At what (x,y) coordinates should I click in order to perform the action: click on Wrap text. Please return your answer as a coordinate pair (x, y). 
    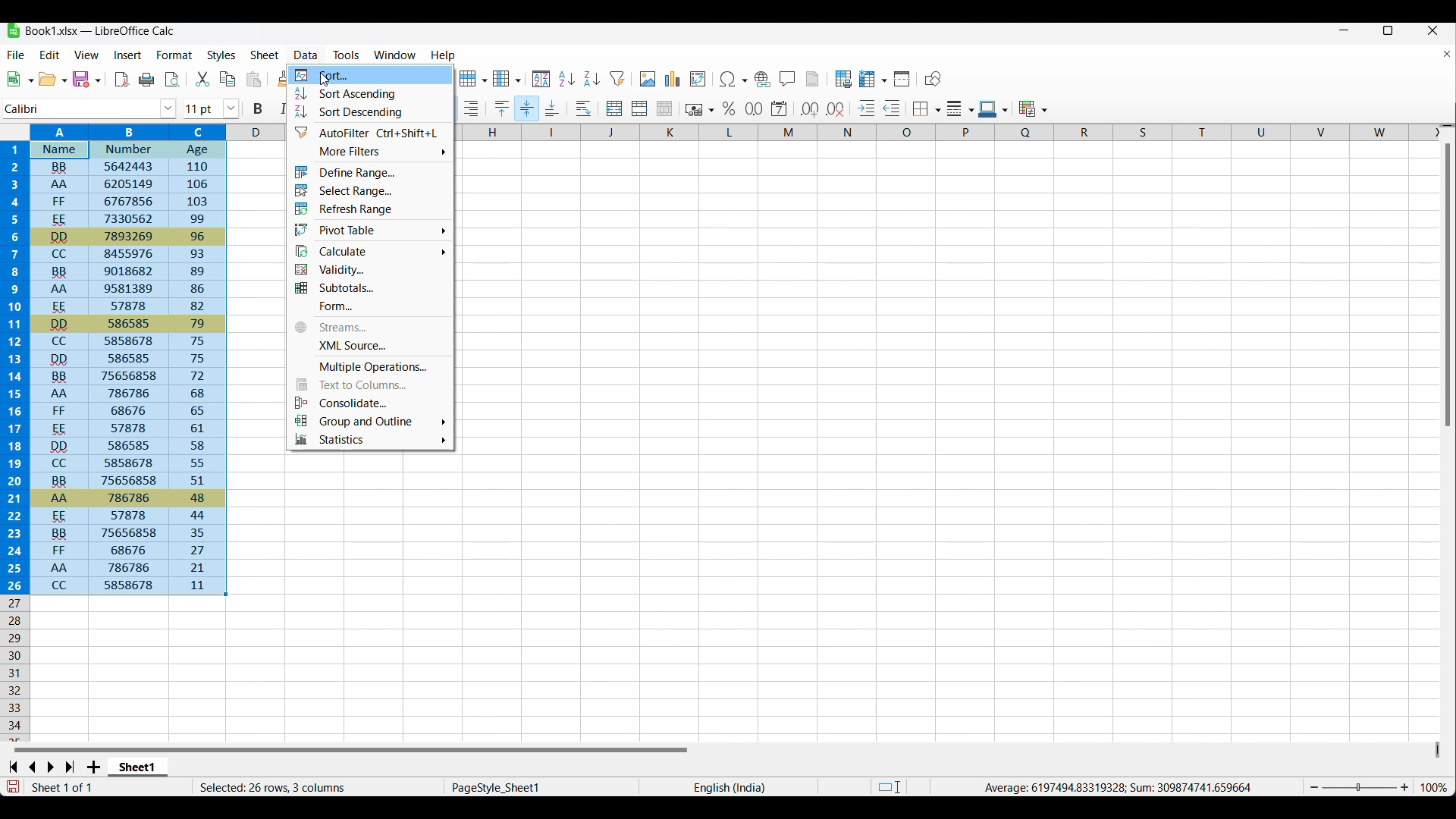
    Looking at the image, I should click on (584, 108).